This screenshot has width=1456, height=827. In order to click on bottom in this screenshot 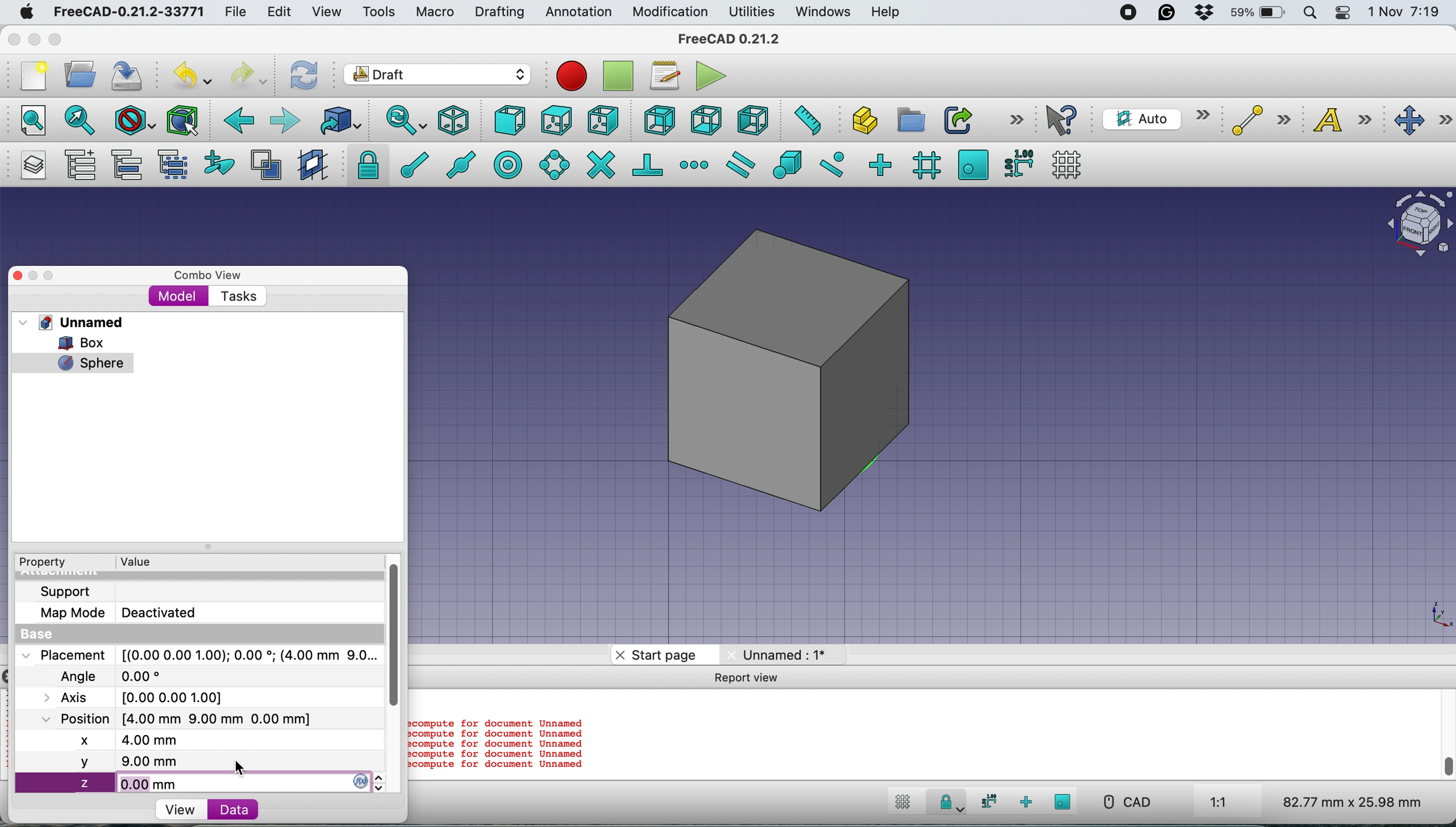, I will do `click(706, 121)`.